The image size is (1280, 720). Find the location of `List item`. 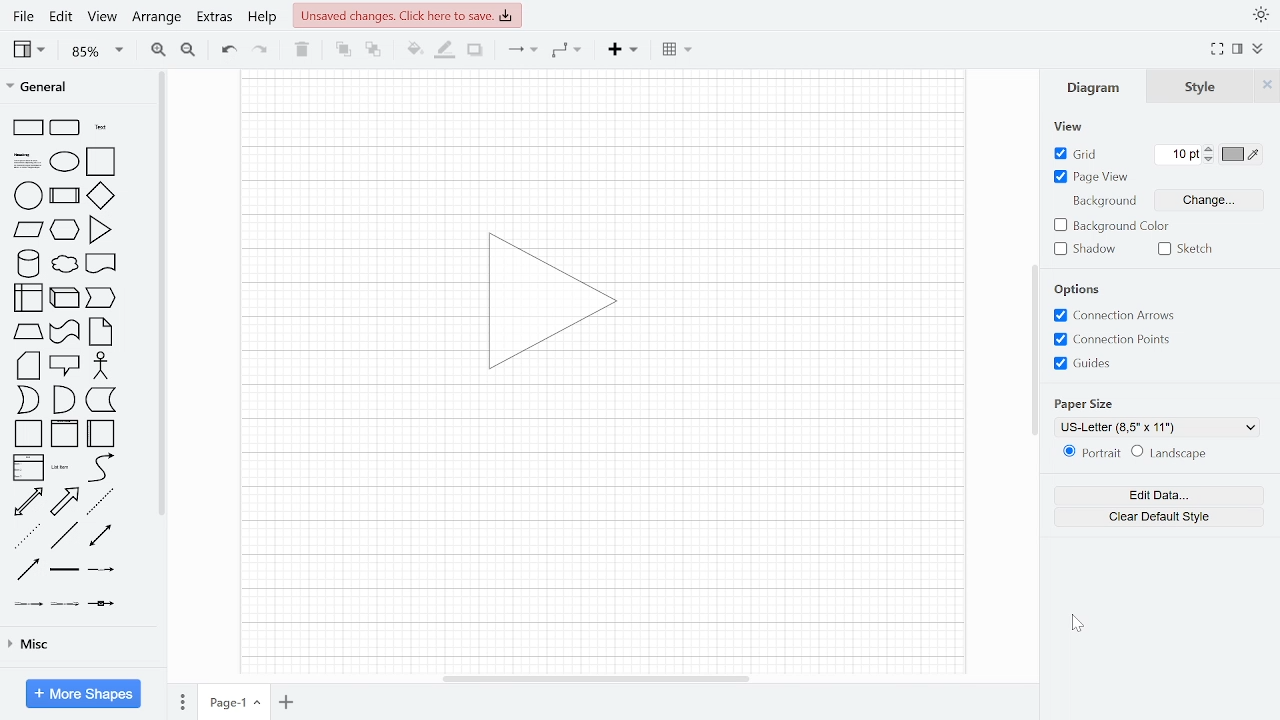

List item is located at coordinates (63, 468).